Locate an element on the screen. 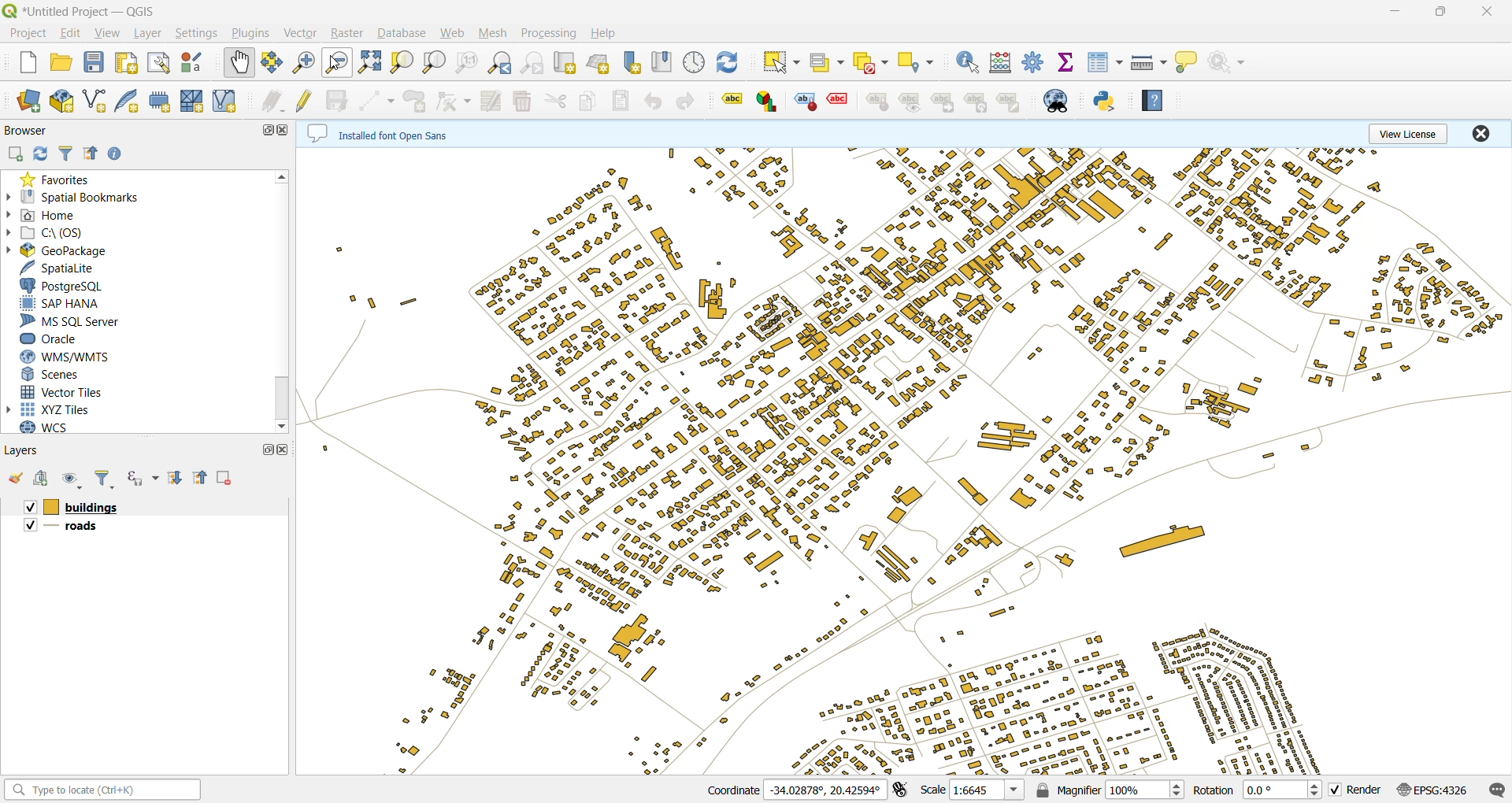  measure line is located at coordinates (1149, 65).